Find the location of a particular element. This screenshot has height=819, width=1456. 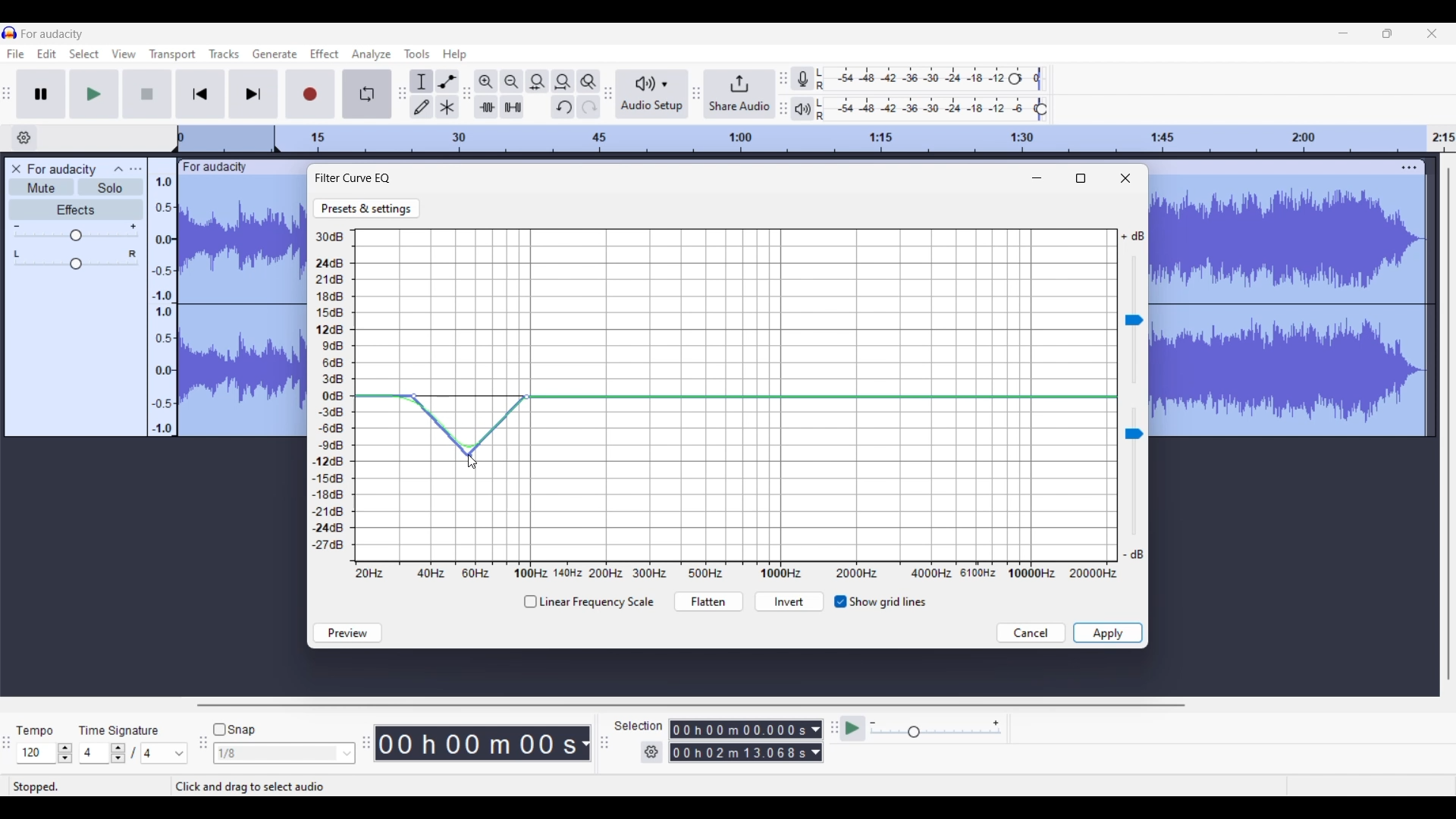

Fit project to width is located at coordinates (563, 82).